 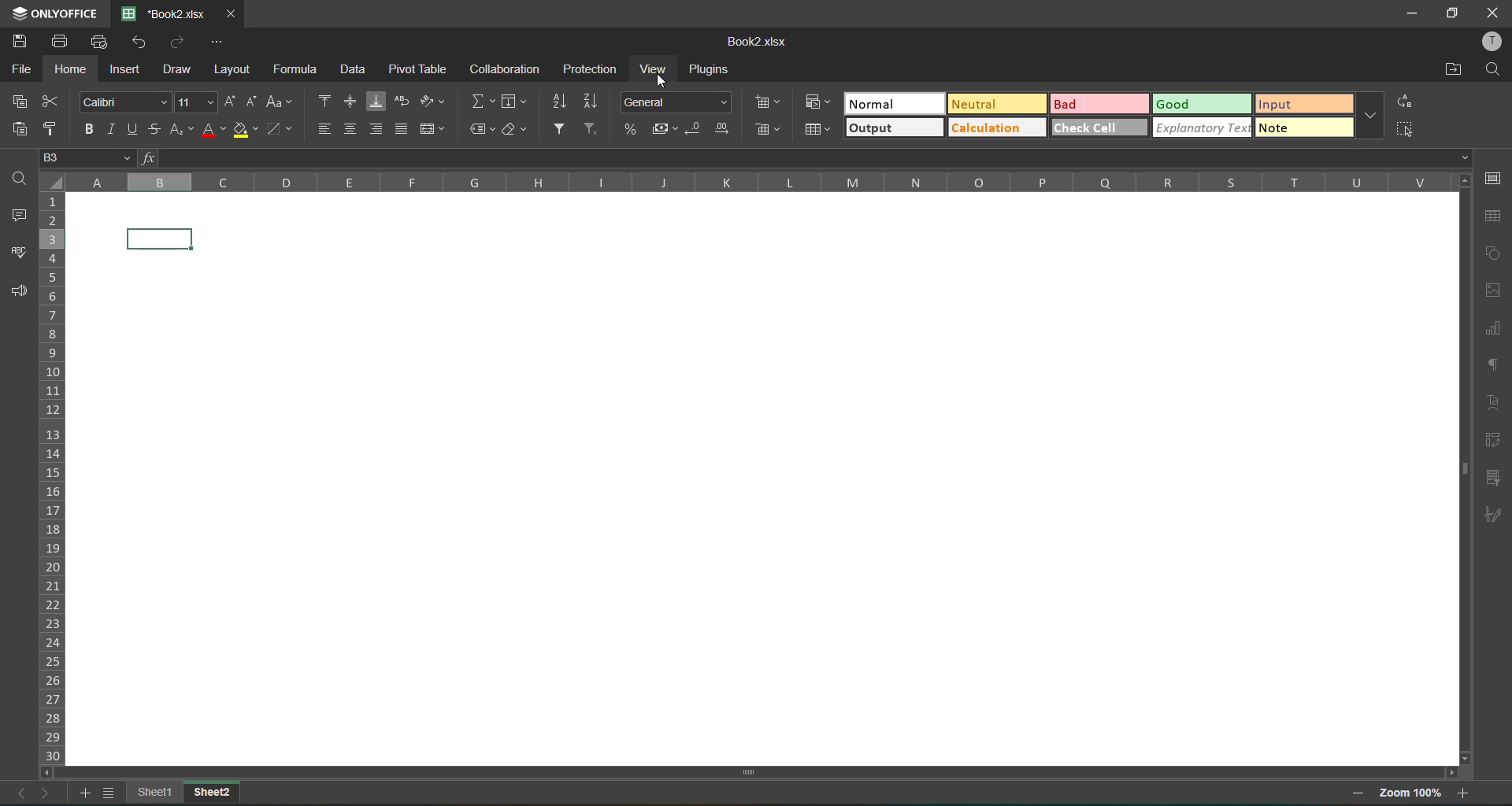 I want to click on good, so click(x=1204, y=102).